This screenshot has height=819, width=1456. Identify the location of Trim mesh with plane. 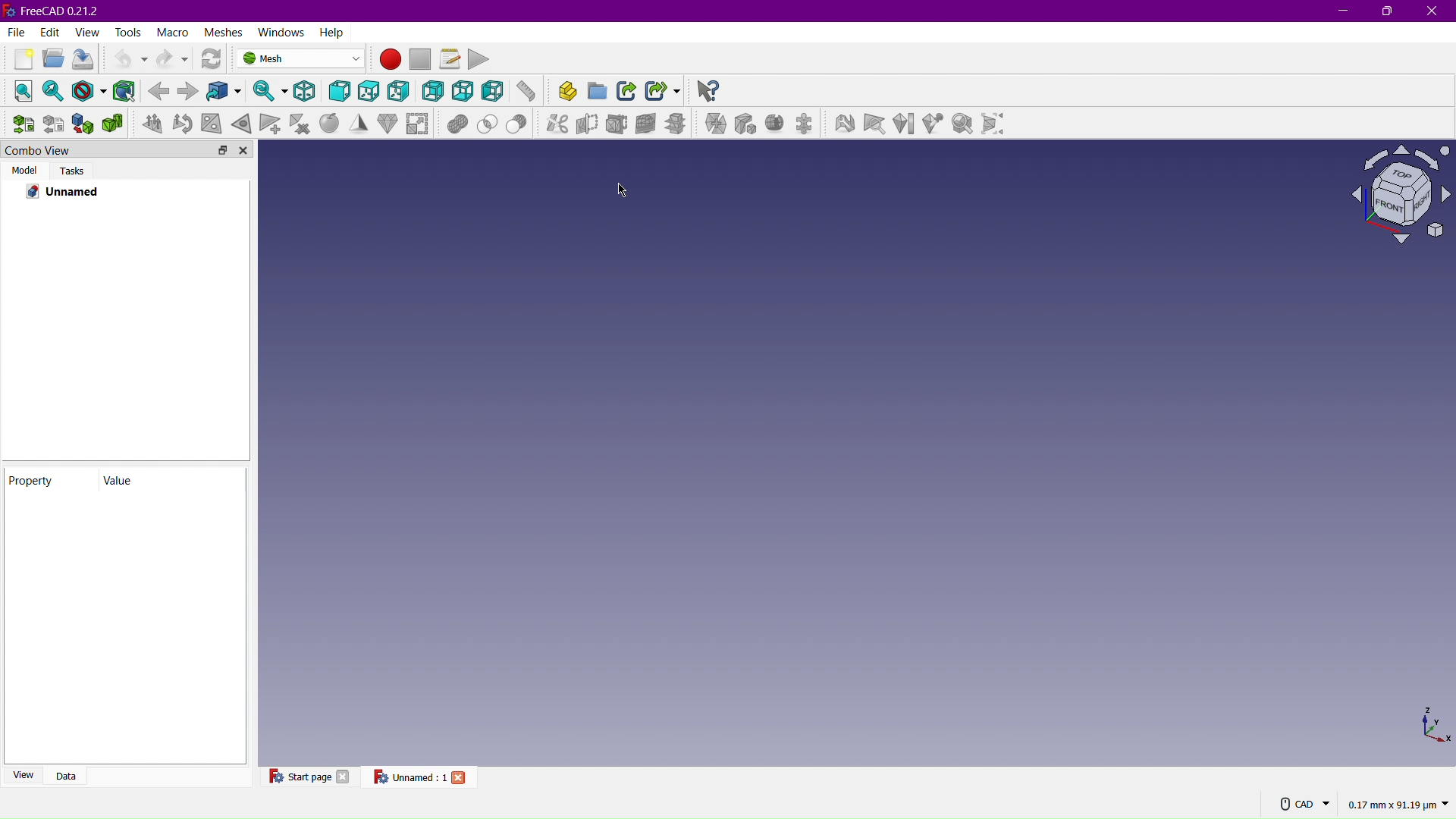
(619, 124).